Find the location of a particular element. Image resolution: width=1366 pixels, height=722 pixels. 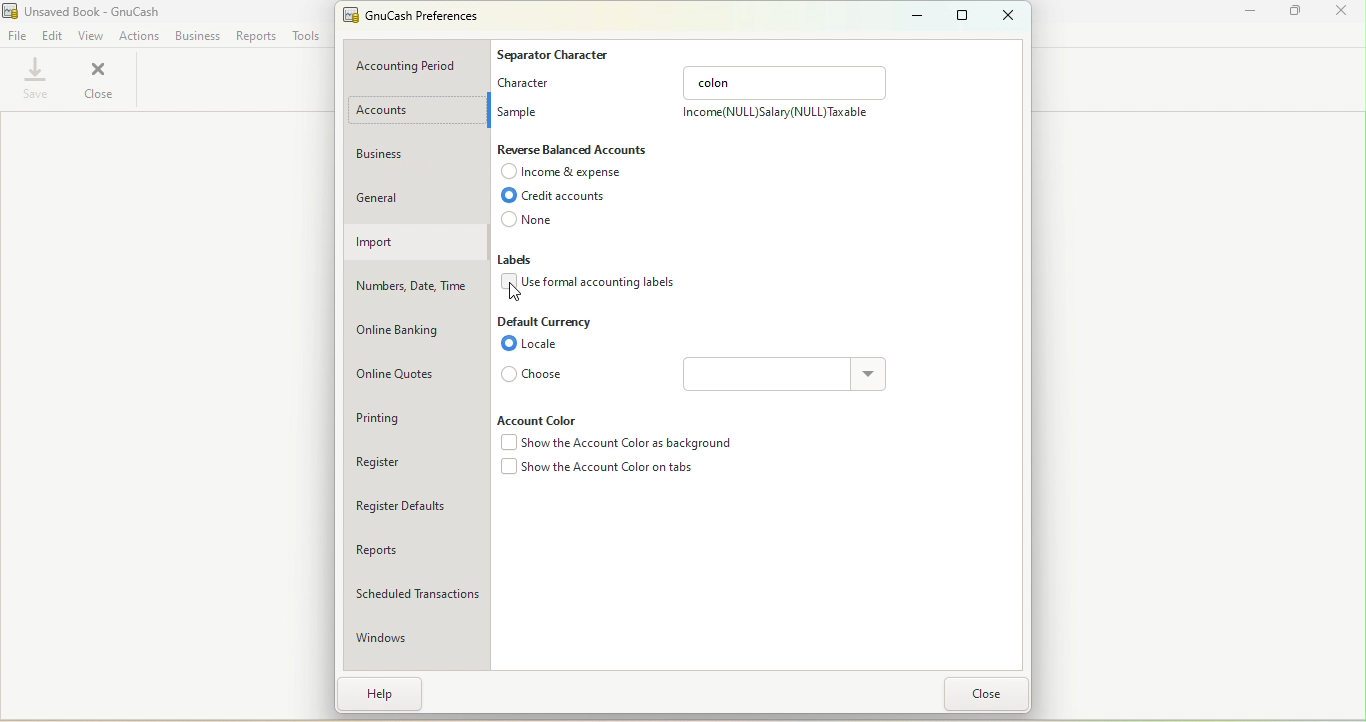

Close is located at coordinates (1009, 15).